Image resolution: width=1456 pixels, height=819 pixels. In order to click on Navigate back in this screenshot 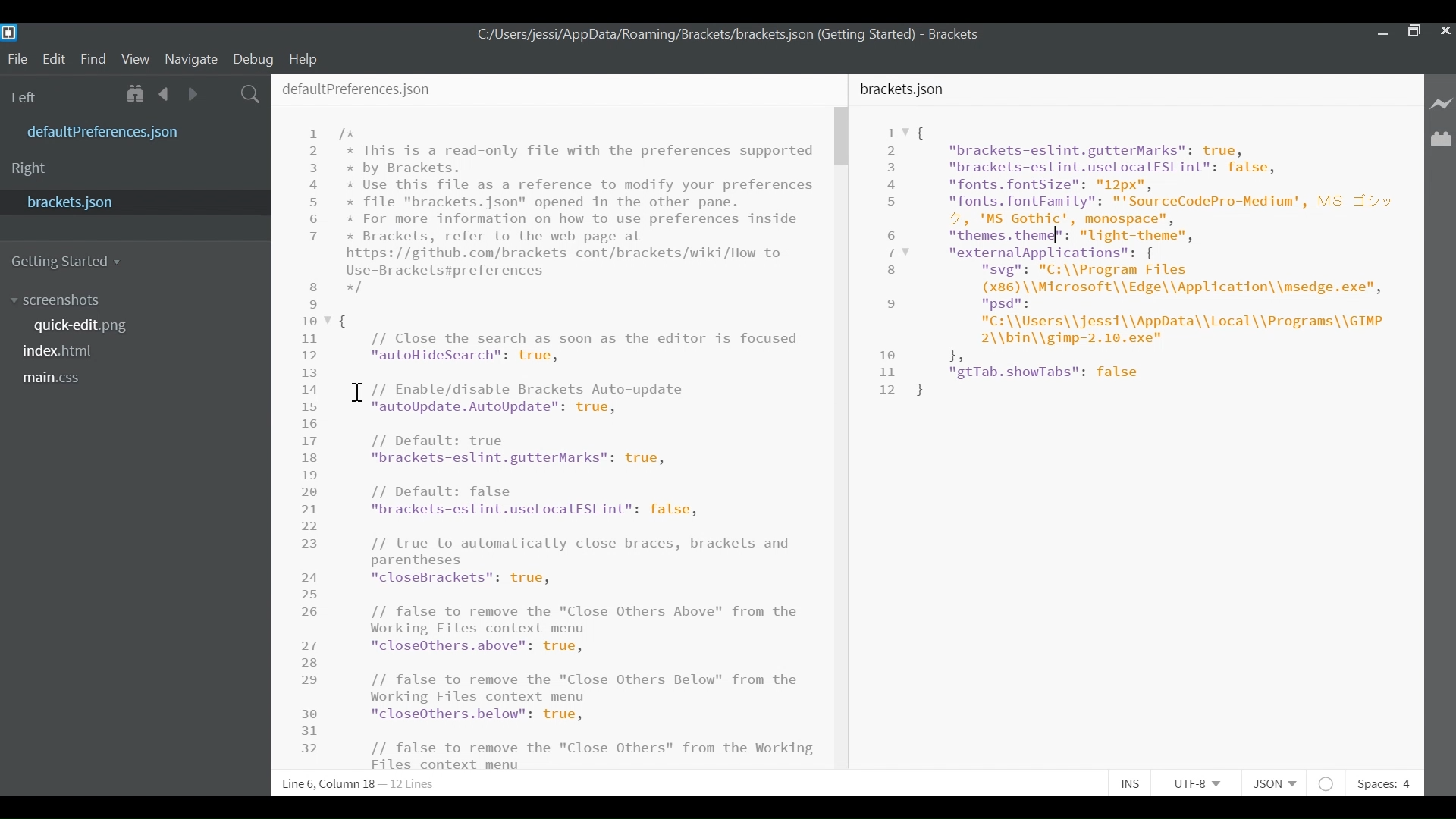, I will do `click(165, 93)`.